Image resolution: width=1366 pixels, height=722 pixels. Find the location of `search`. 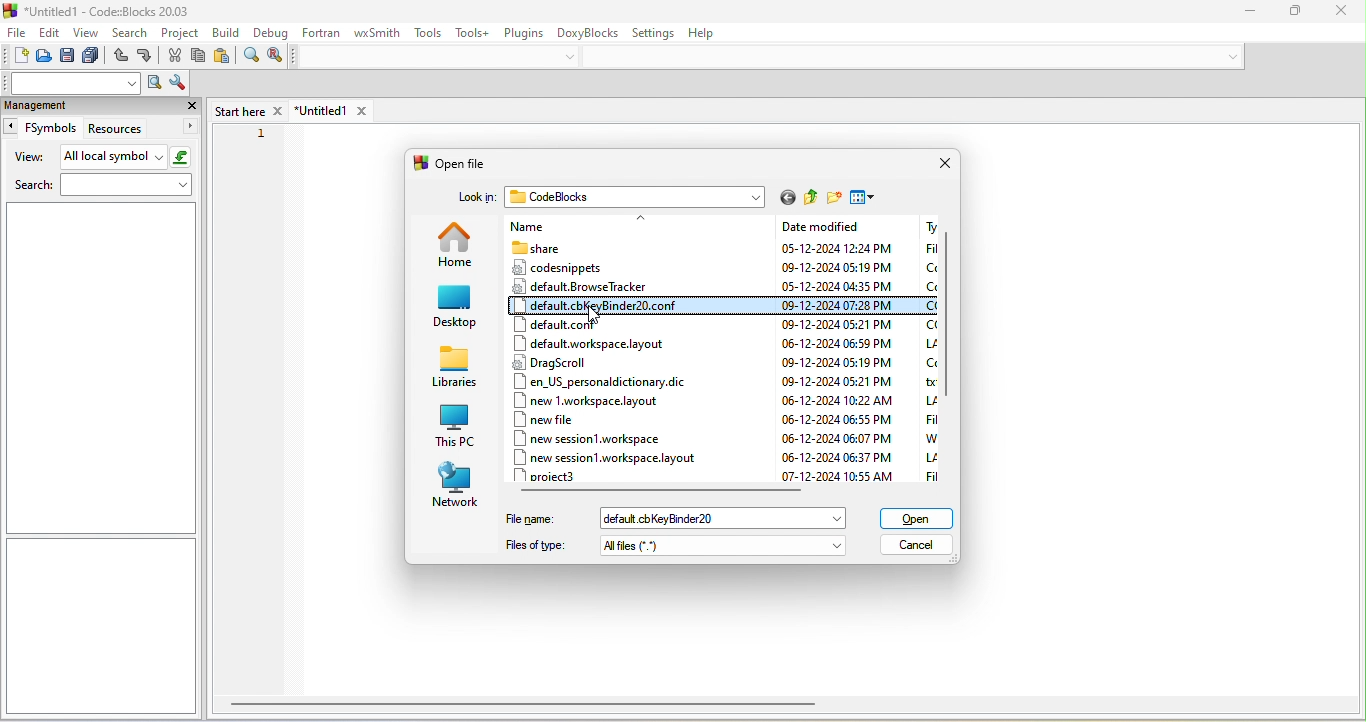

search is located at coordinates (128, 30).